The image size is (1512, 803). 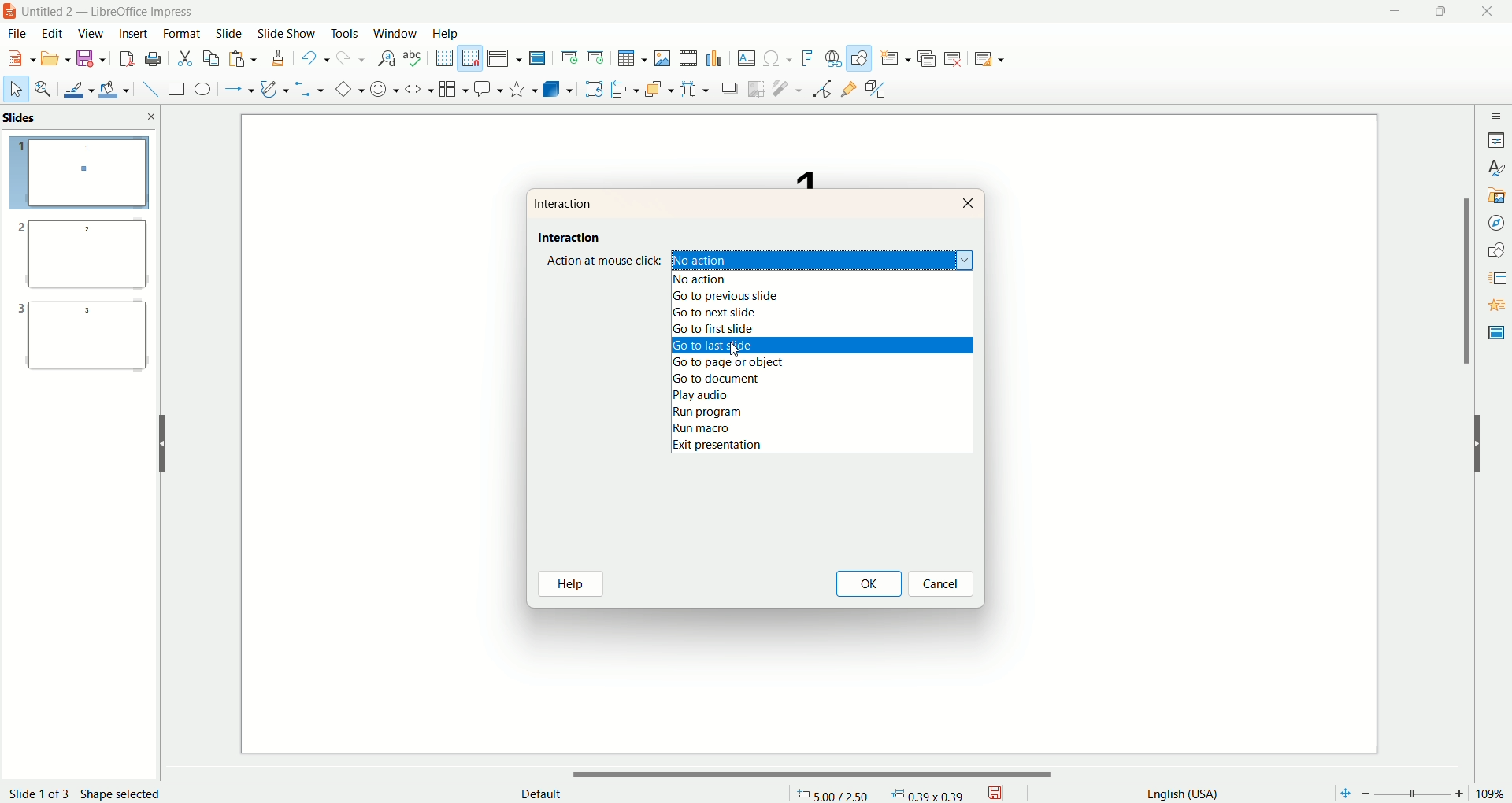 What do you see at coordinates (1466, 438) in the screenshot?
I see `vertical scroll bar` at bounding box center [1466, 438].